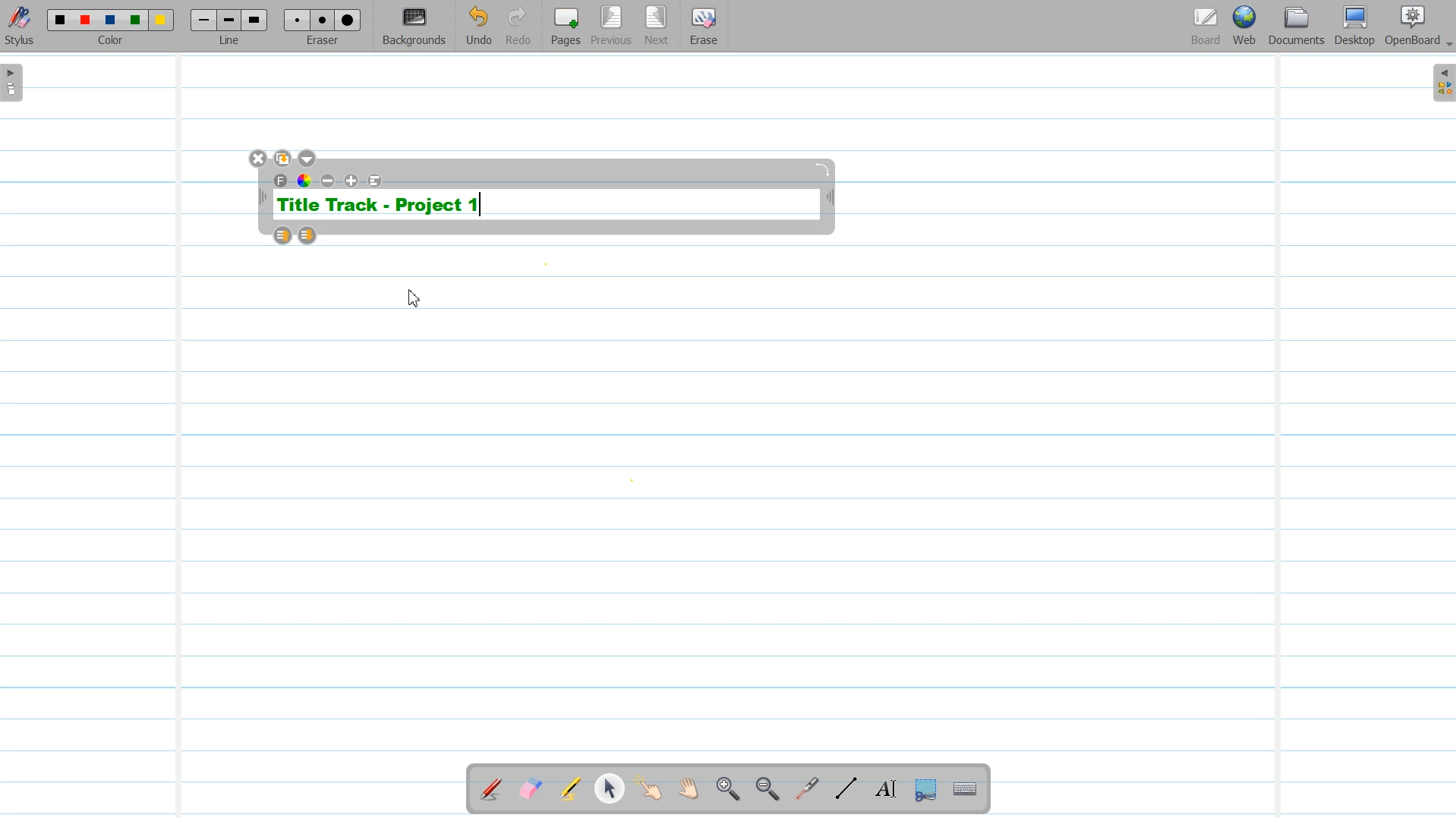 This screenshot has width=1456, height=818. What do you see at coordinates (830, 199) in the screenshot?
I see `Adjust width of text tool` at bounding box center [830, 199].